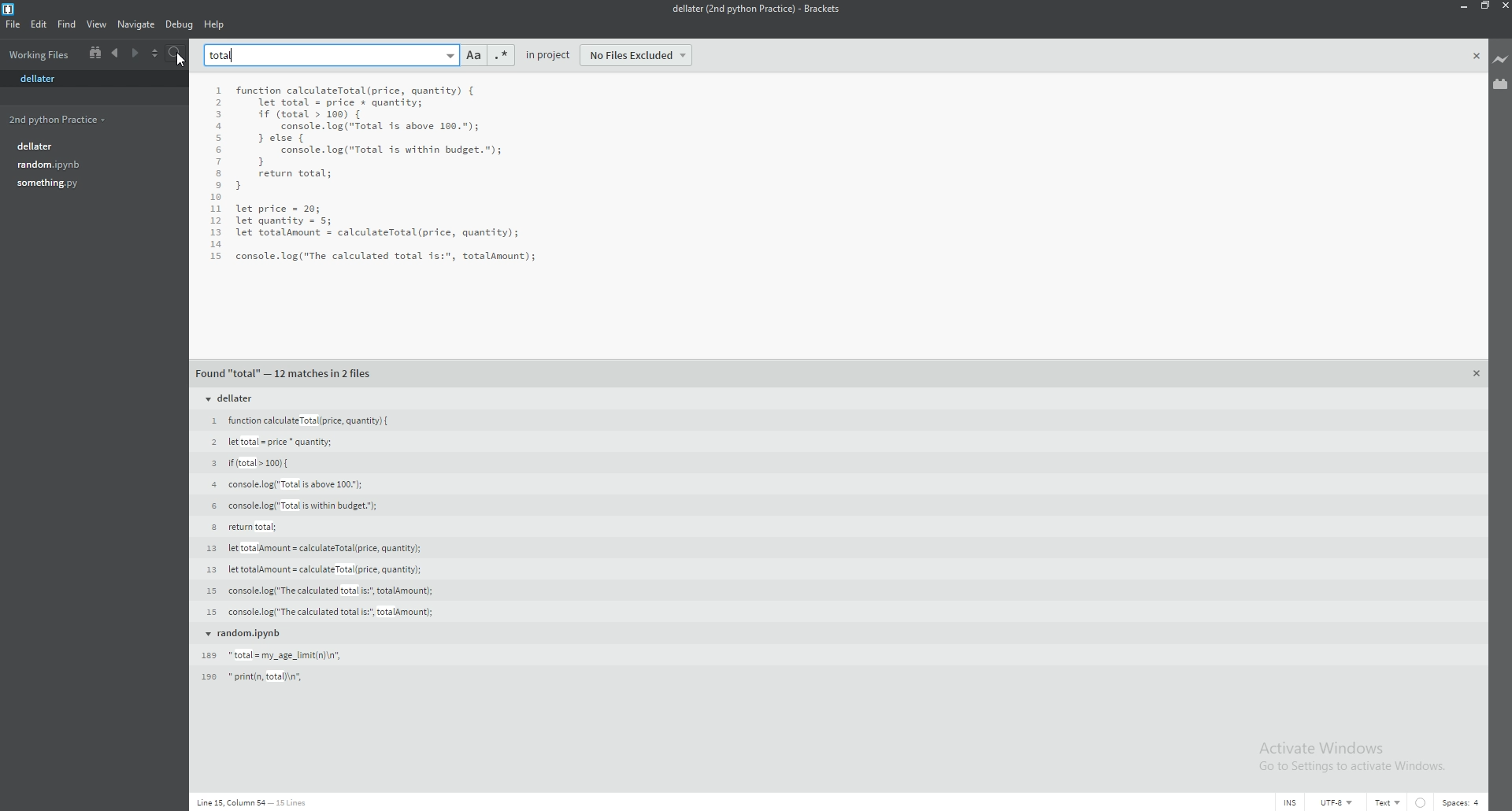 The width and height of the screenshot is (1512, 811). Describe the element at coordinates (1291, 803) in the screenshot. I see `INS` at that location.